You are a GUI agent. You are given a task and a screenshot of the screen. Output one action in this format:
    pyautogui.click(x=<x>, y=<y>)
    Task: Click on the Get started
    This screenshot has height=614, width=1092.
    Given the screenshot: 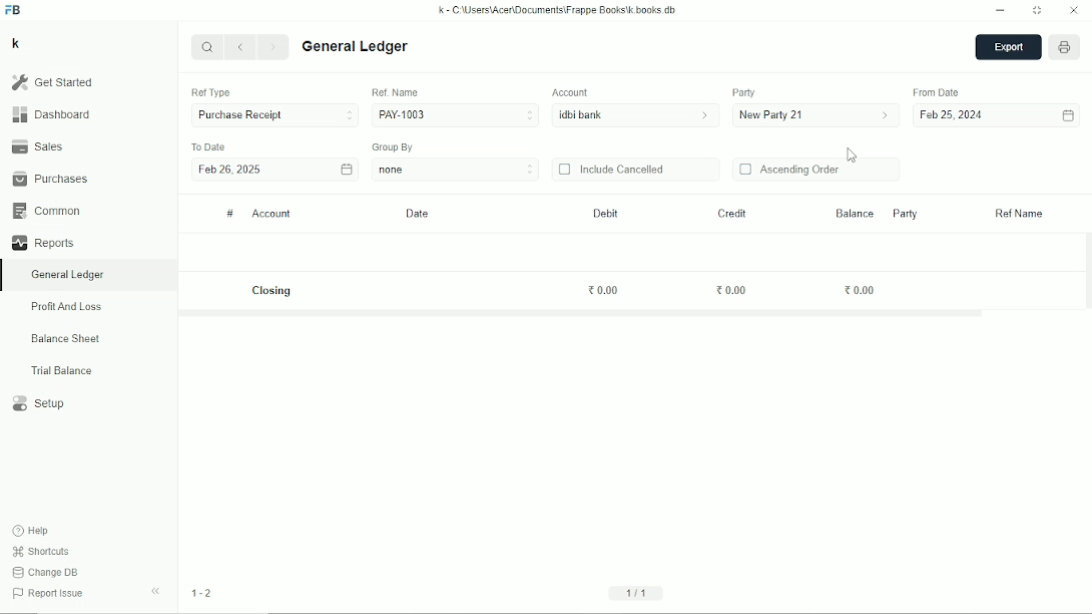 What is the action you would take?
    pyautogui.click(x=52, y=82)
    